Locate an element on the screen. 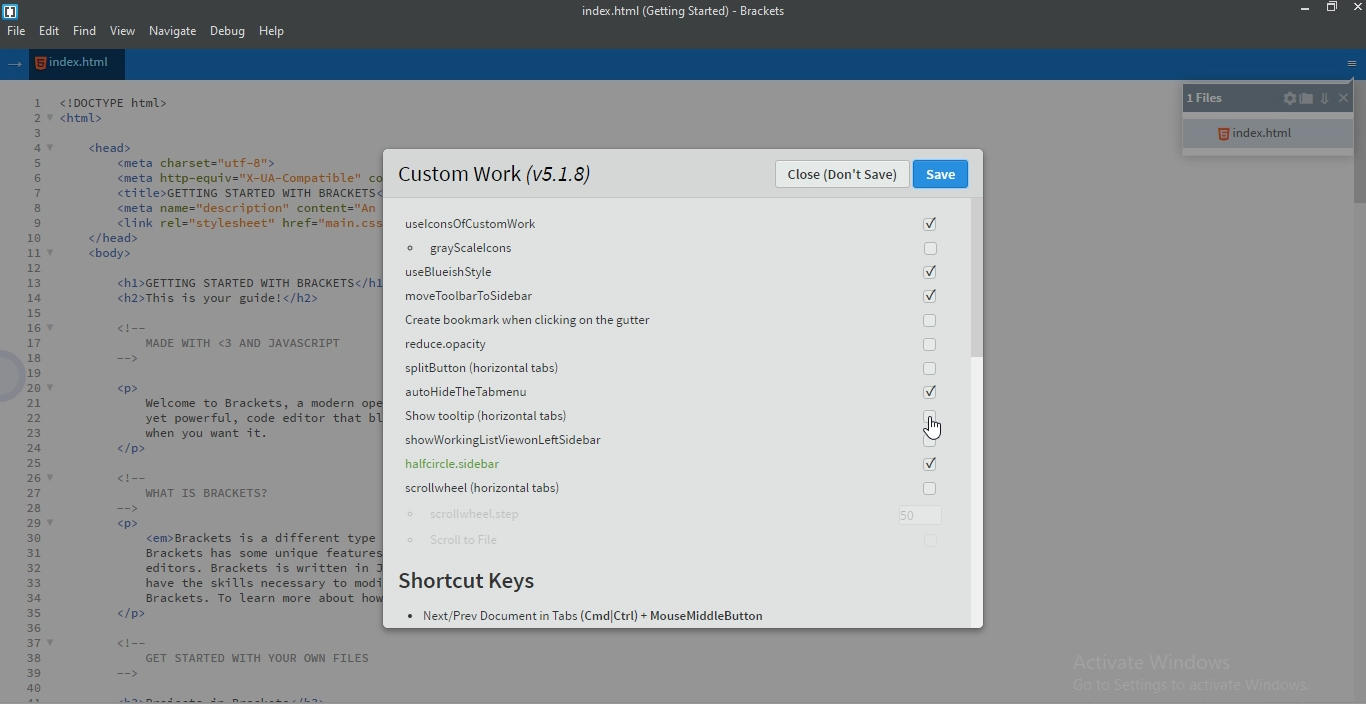 The image size is (1366, 704). Show tooltip(horizontal tabs) is located at coordinates (675, 417).